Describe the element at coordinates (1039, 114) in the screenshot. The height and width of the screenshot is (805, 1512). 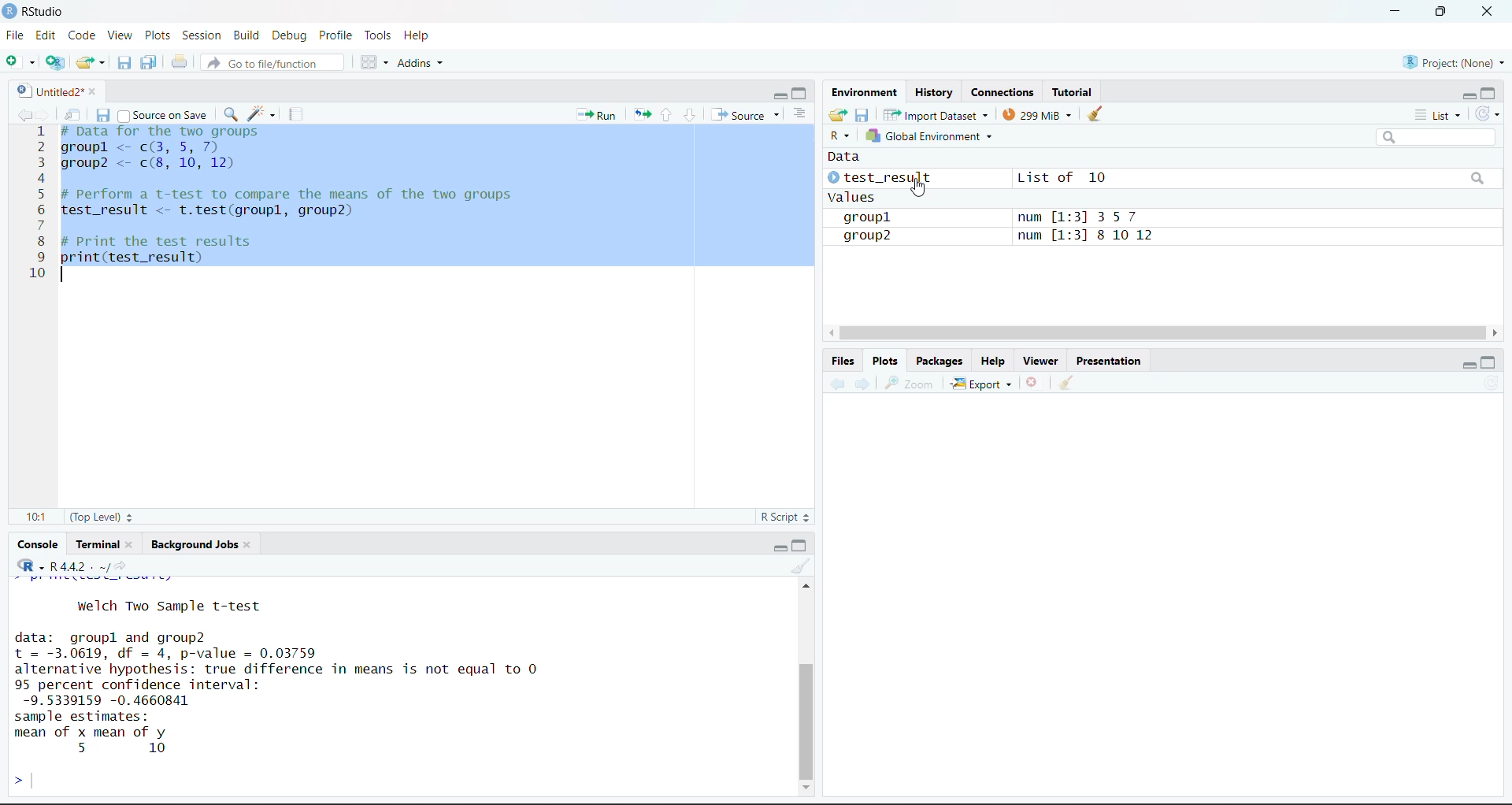
I see `299 MiB` at that location.